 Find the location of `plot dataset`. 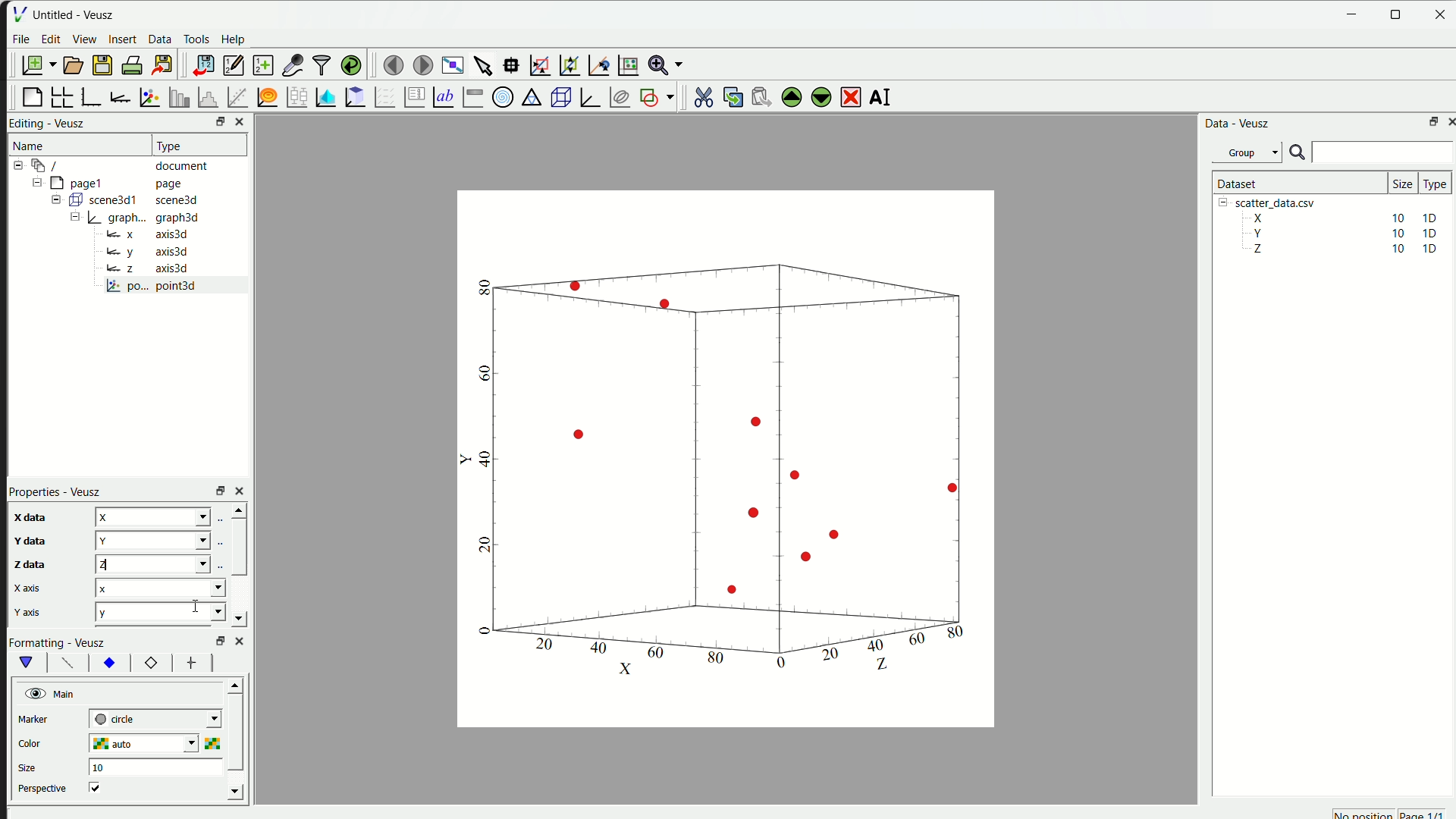

plot dataset is located at coordinates (323, 96).